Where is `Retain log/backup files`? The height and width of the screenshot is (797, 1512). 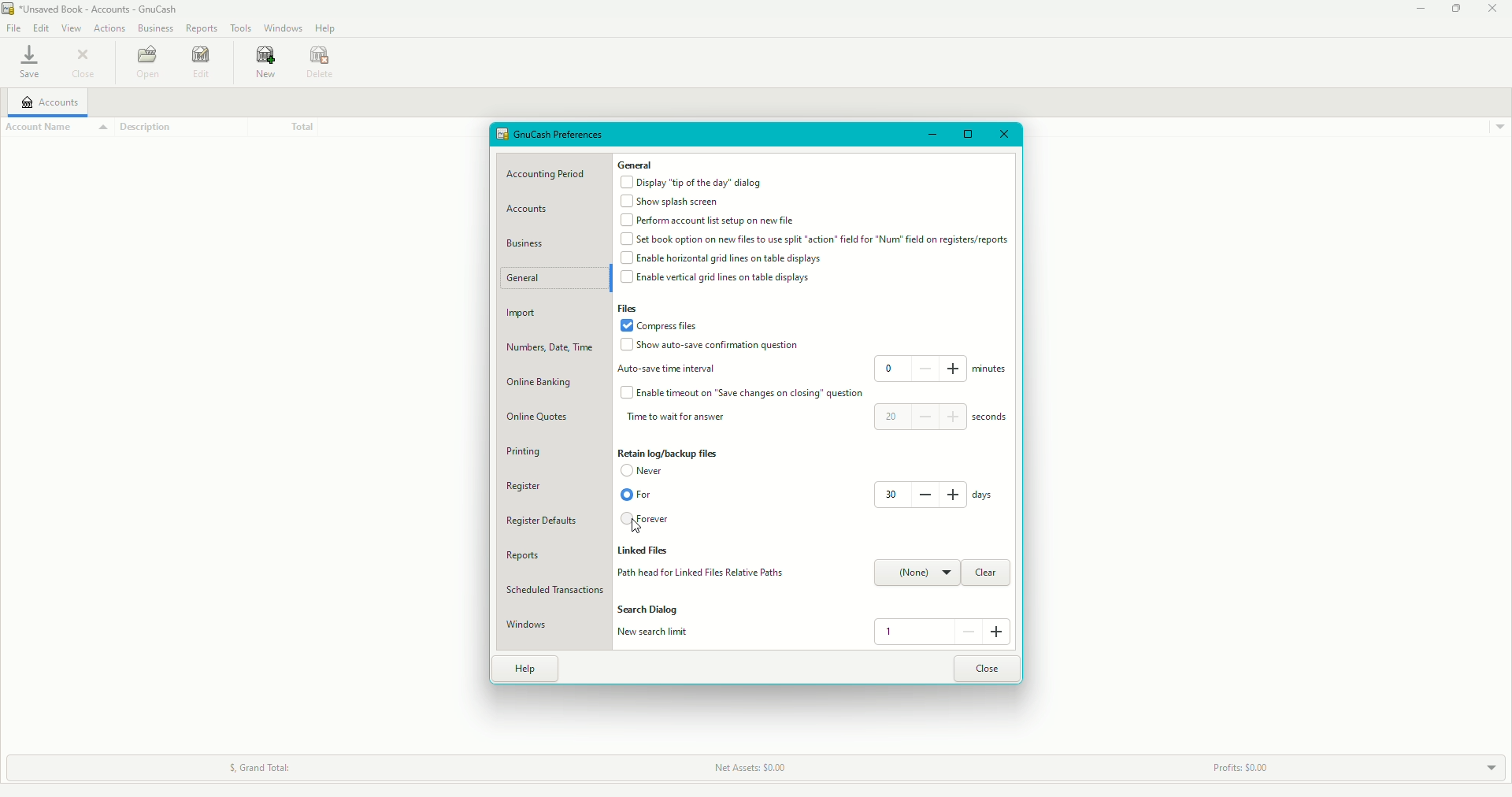 Retain log/backup files is located at coordinates (669, 453).